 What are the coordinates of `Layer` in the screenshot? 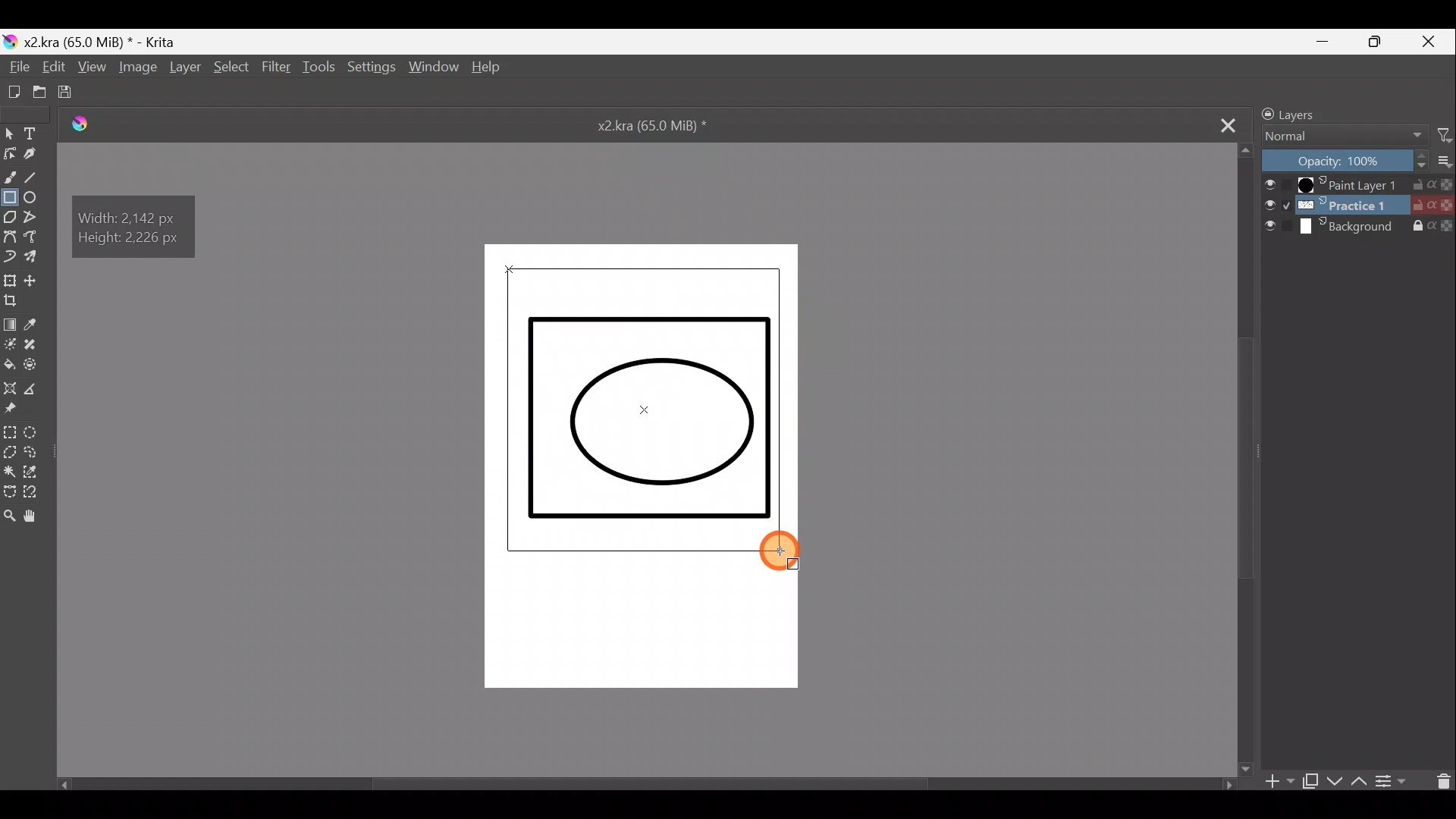 It's located at (184, 70).